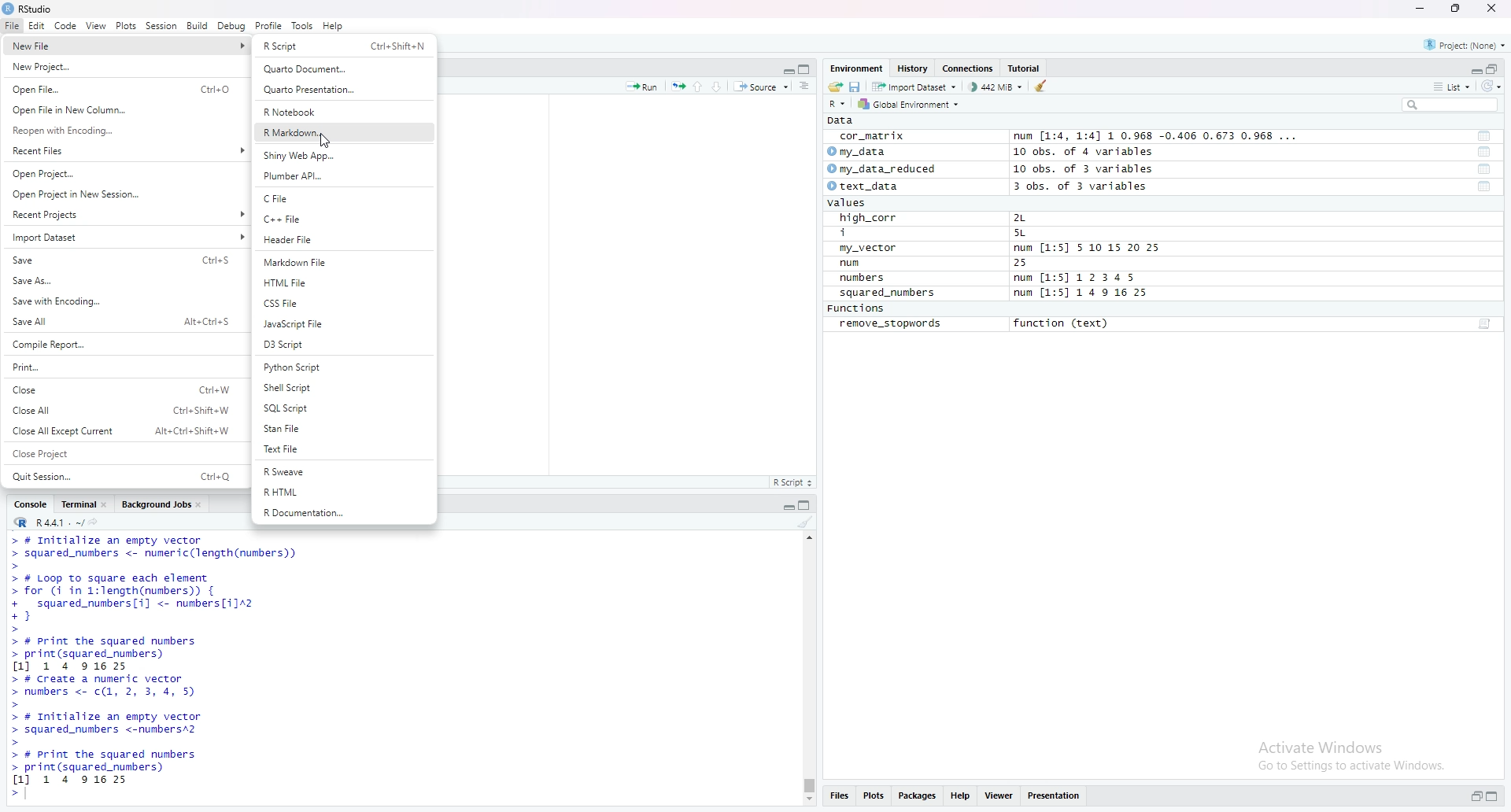  I want to click on Open Project., so click(123, 173).